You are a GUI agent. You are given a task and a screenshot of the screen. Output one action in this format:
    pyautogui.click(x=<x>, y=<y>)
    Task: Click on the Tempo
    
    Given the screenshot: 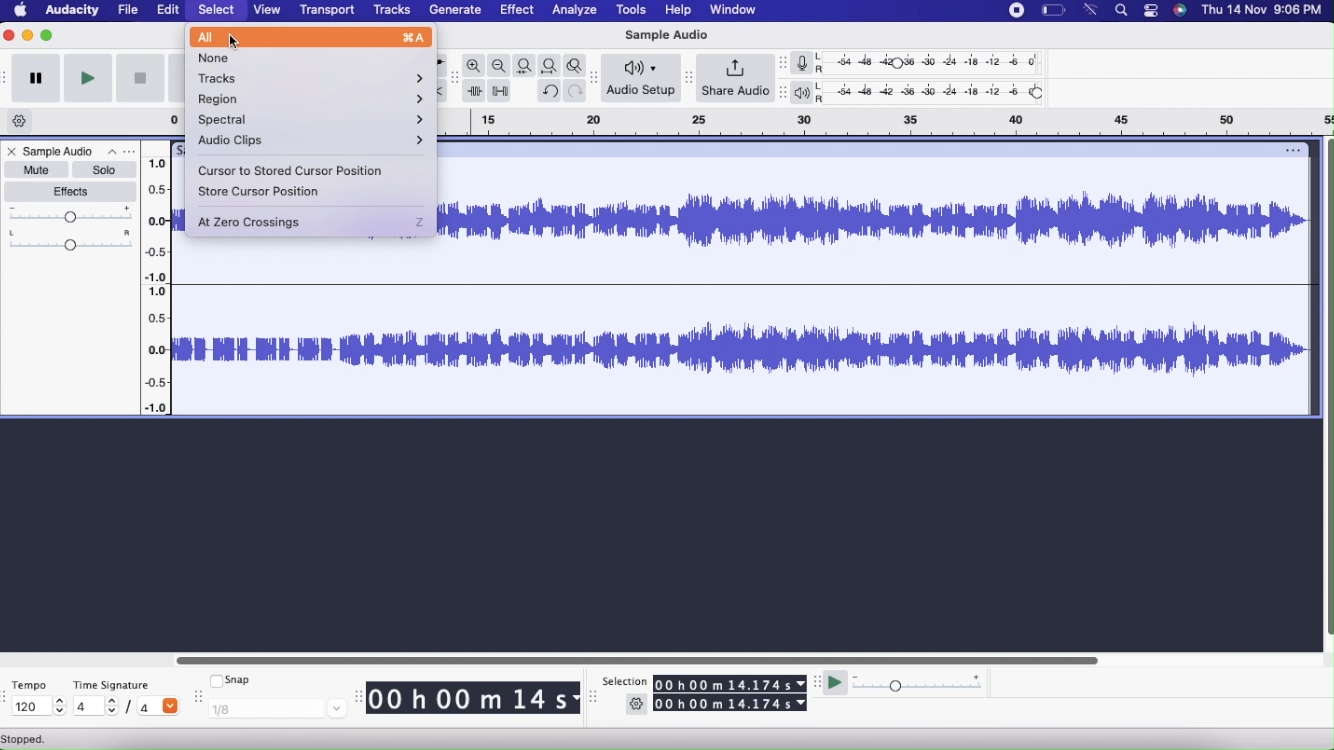 What is the action you would take?
    pyautogui.click(x=31, y=685)
    